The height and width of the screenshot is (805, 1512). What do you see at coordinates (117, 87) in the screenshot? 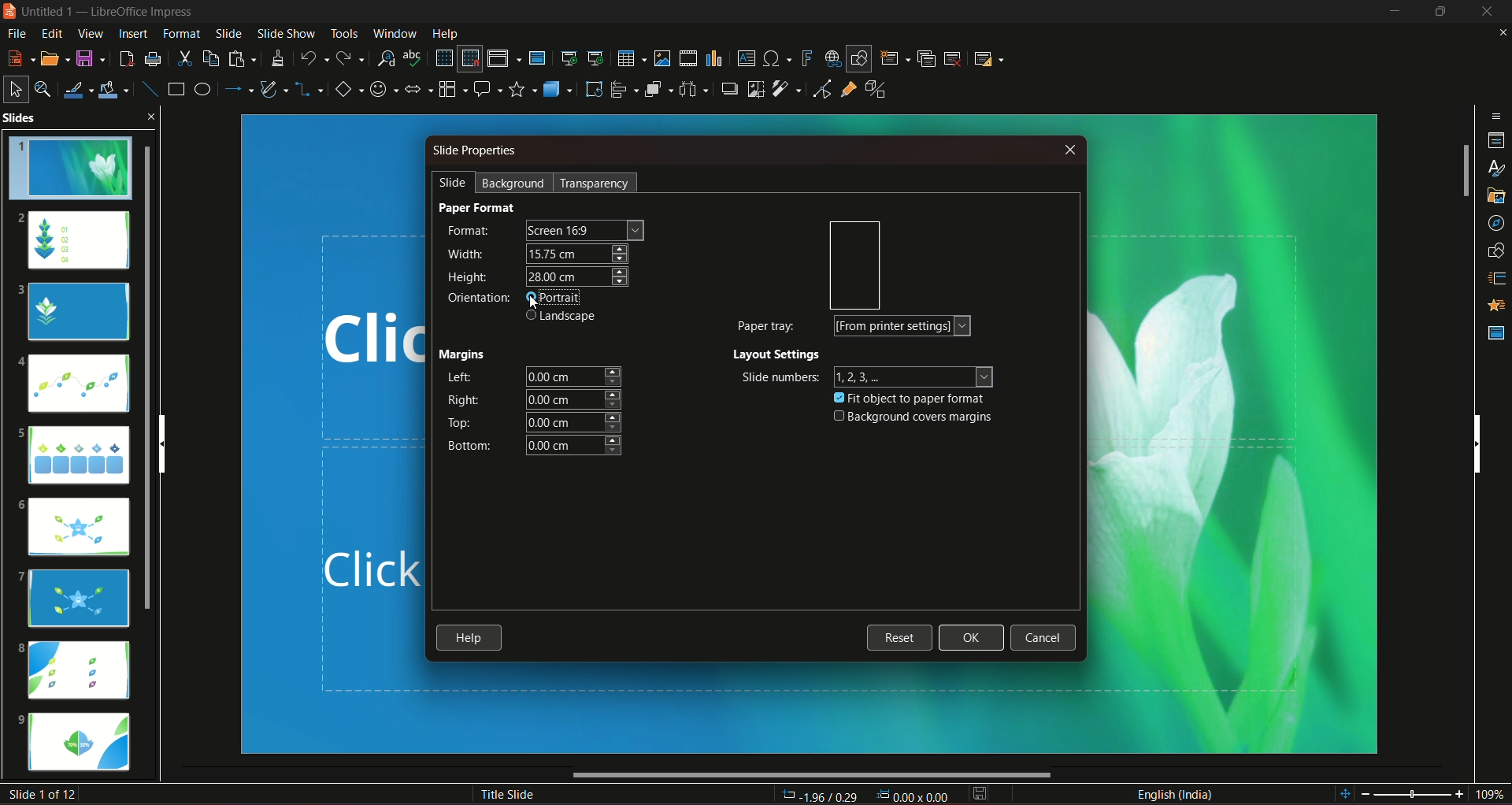
I see `fill color` at bounding box center [117, 87].